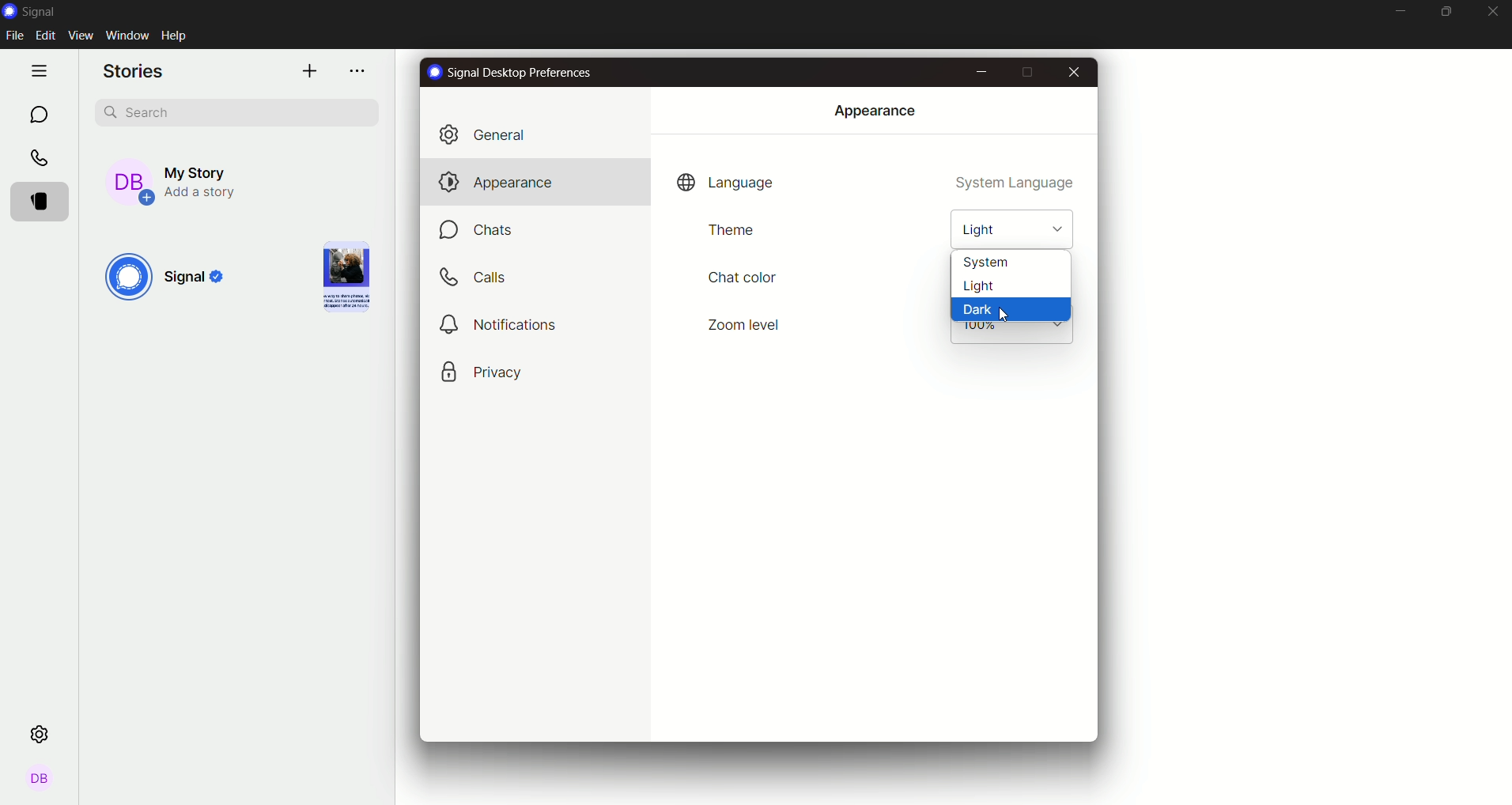 This screenshot has height=805, width=1512. Describe the element at coordinates (42, 70) in the screenshot. I see `hide tabs` at that location.